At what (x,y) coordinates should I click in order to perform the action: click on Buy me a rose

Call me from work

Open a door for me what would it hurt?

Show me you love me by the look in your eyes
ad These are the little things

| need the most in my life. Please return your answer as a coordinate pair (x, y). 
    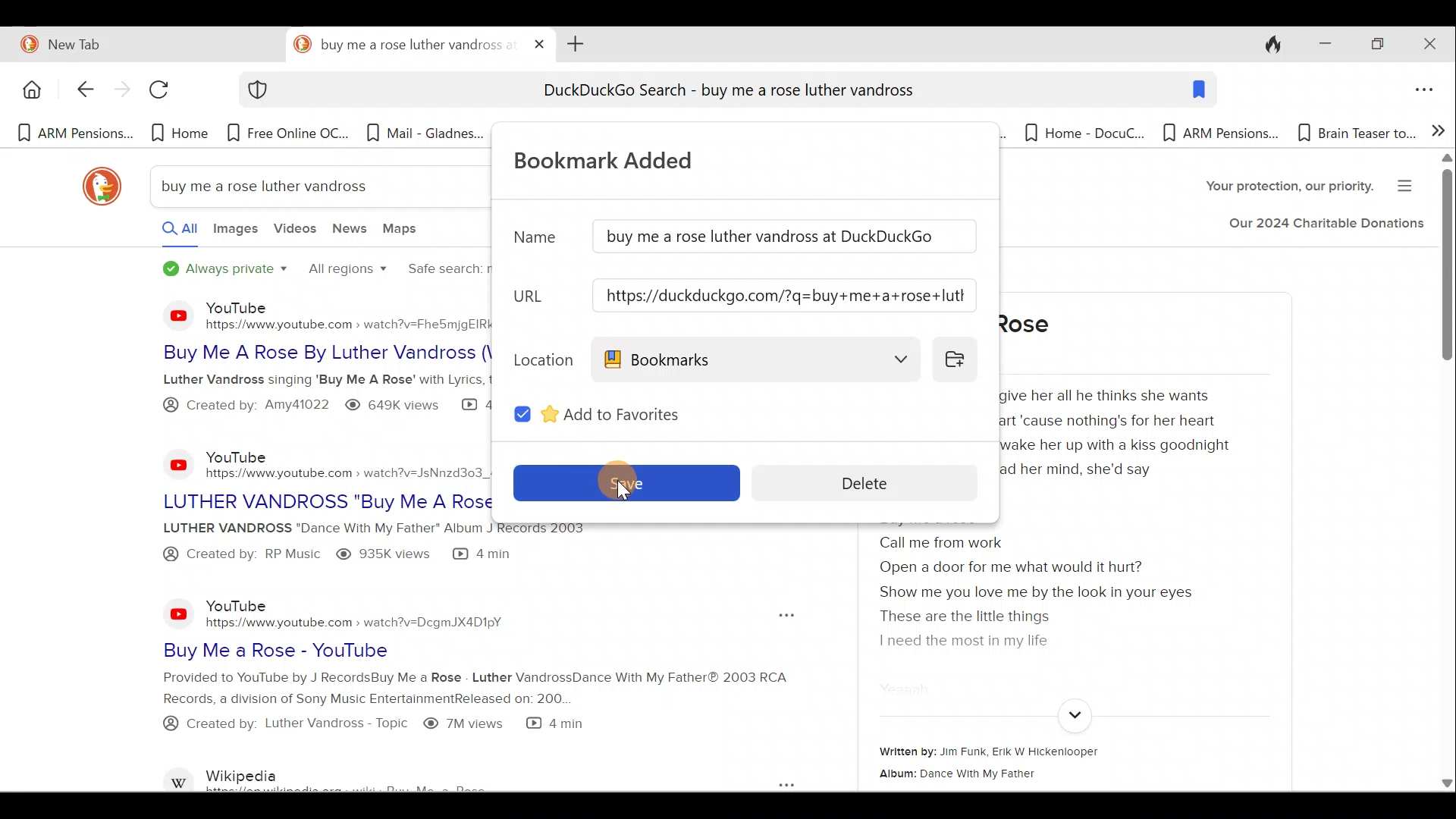
    Looking at the image, I should click on (1053, 591).